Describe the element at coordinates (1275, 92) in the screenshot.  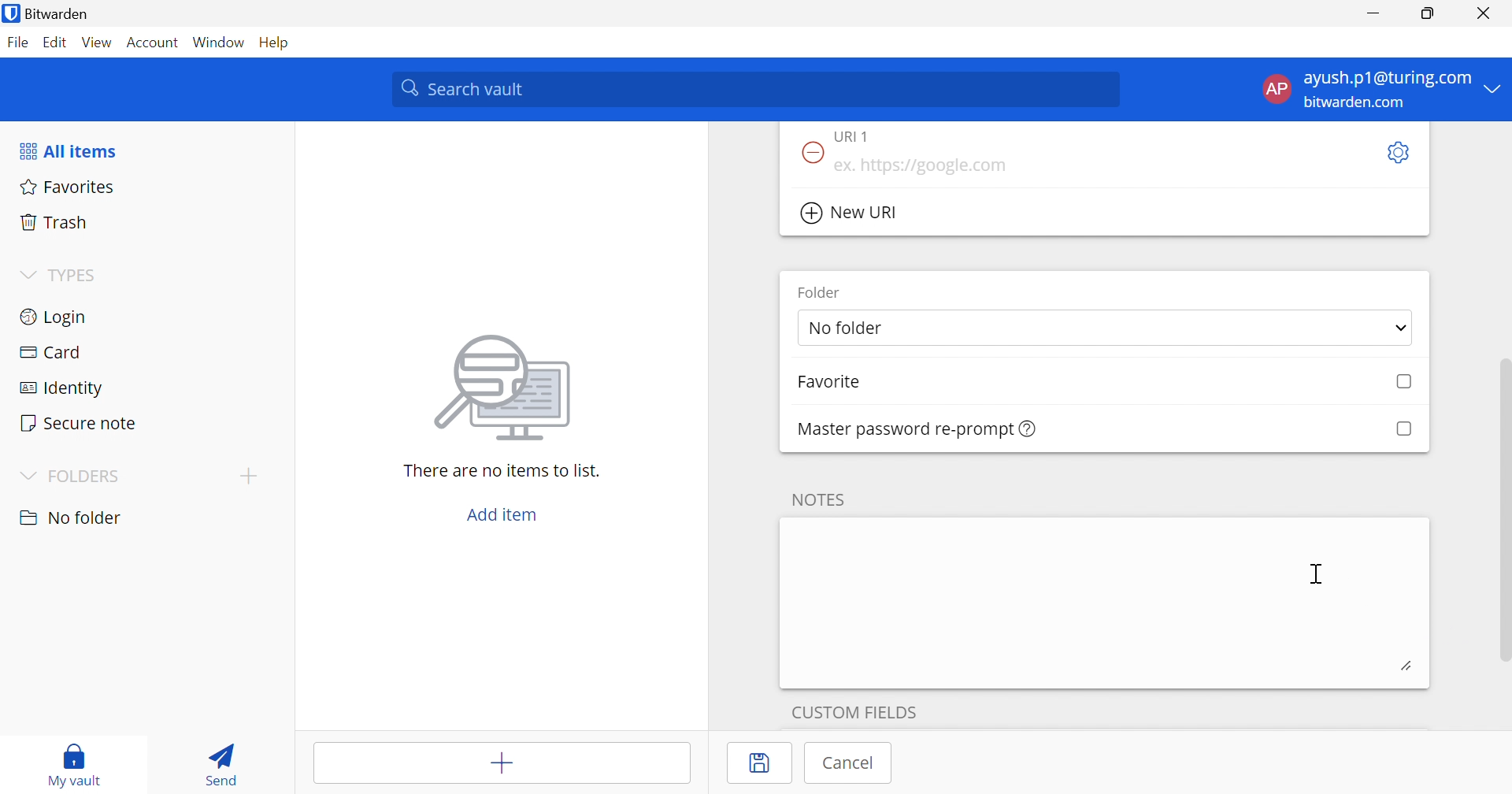
I see `AP` at that location.